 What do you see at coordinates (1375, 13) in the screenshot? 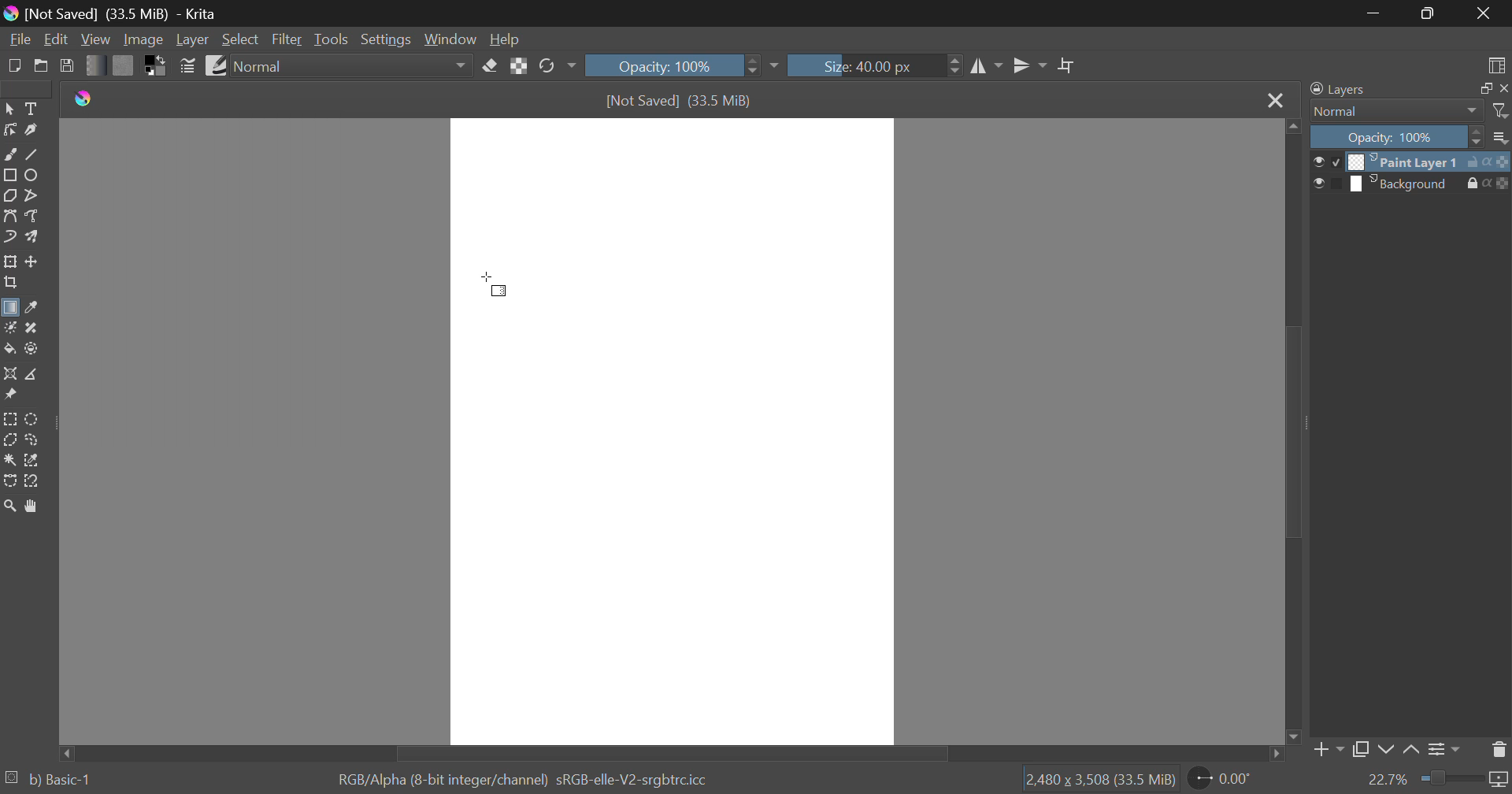
I see `Restore Down` at bounding box center [1375, 13].